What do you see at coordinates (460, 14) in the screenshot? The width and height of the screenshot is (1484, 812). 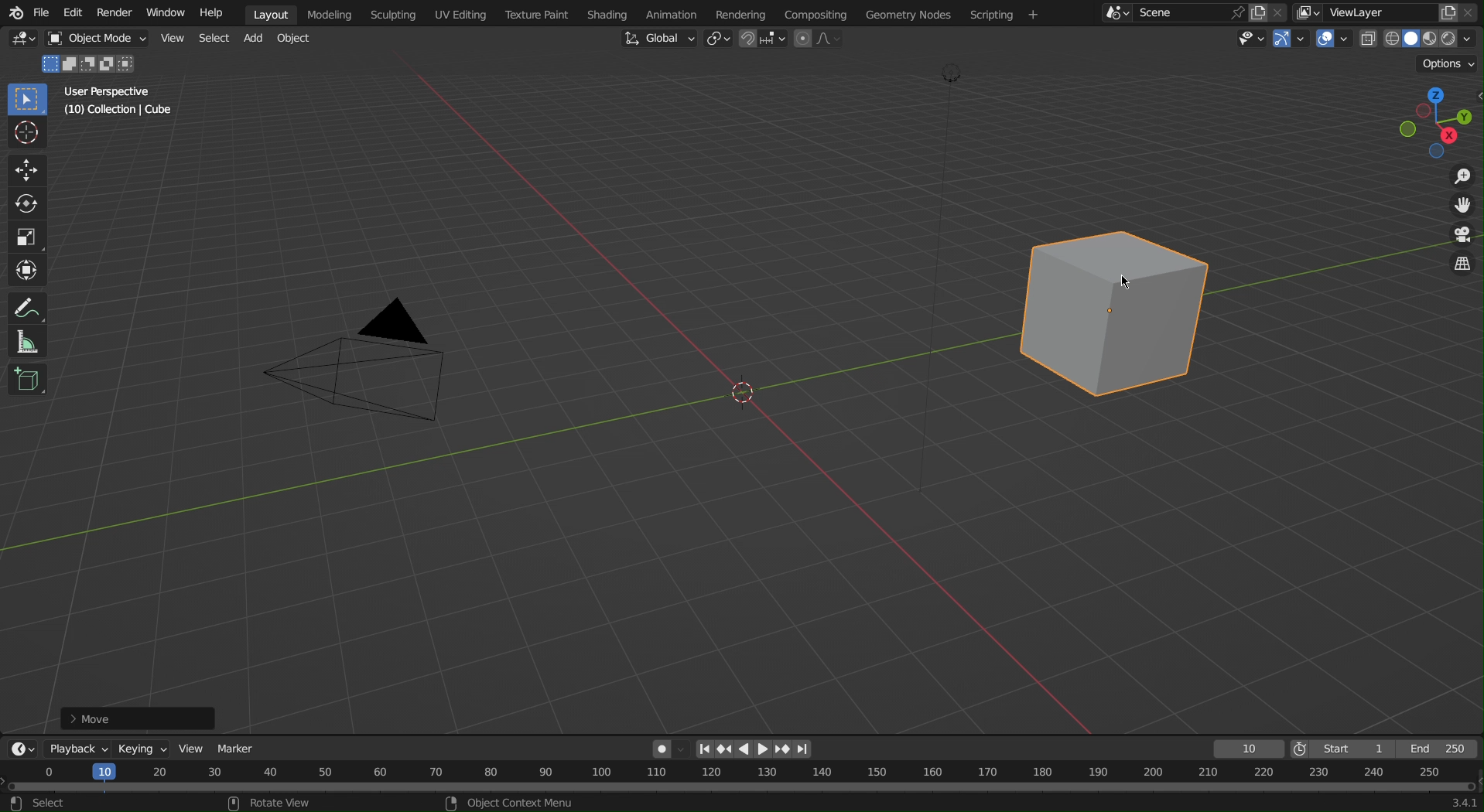 I see `UV Editing` at bounding box center [460, 14].